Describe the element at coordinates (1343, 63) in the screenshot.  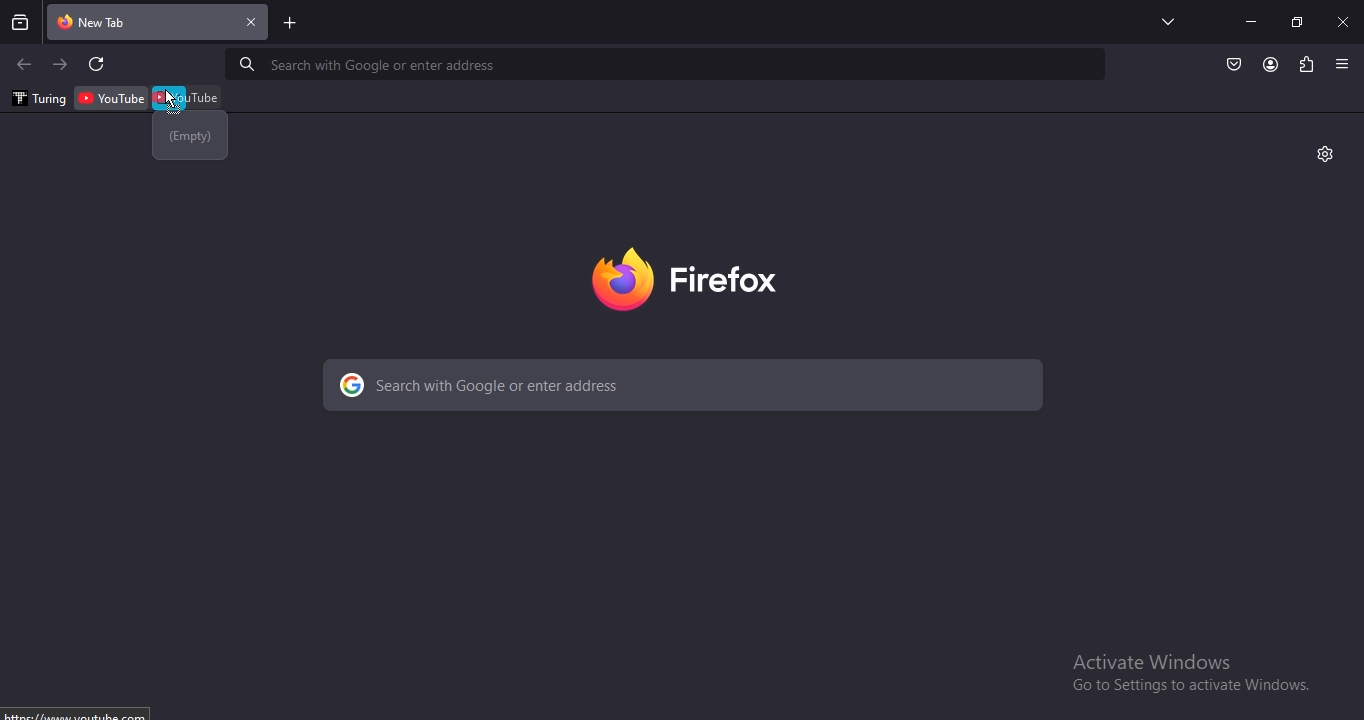
I see `view settings menu` at that location.